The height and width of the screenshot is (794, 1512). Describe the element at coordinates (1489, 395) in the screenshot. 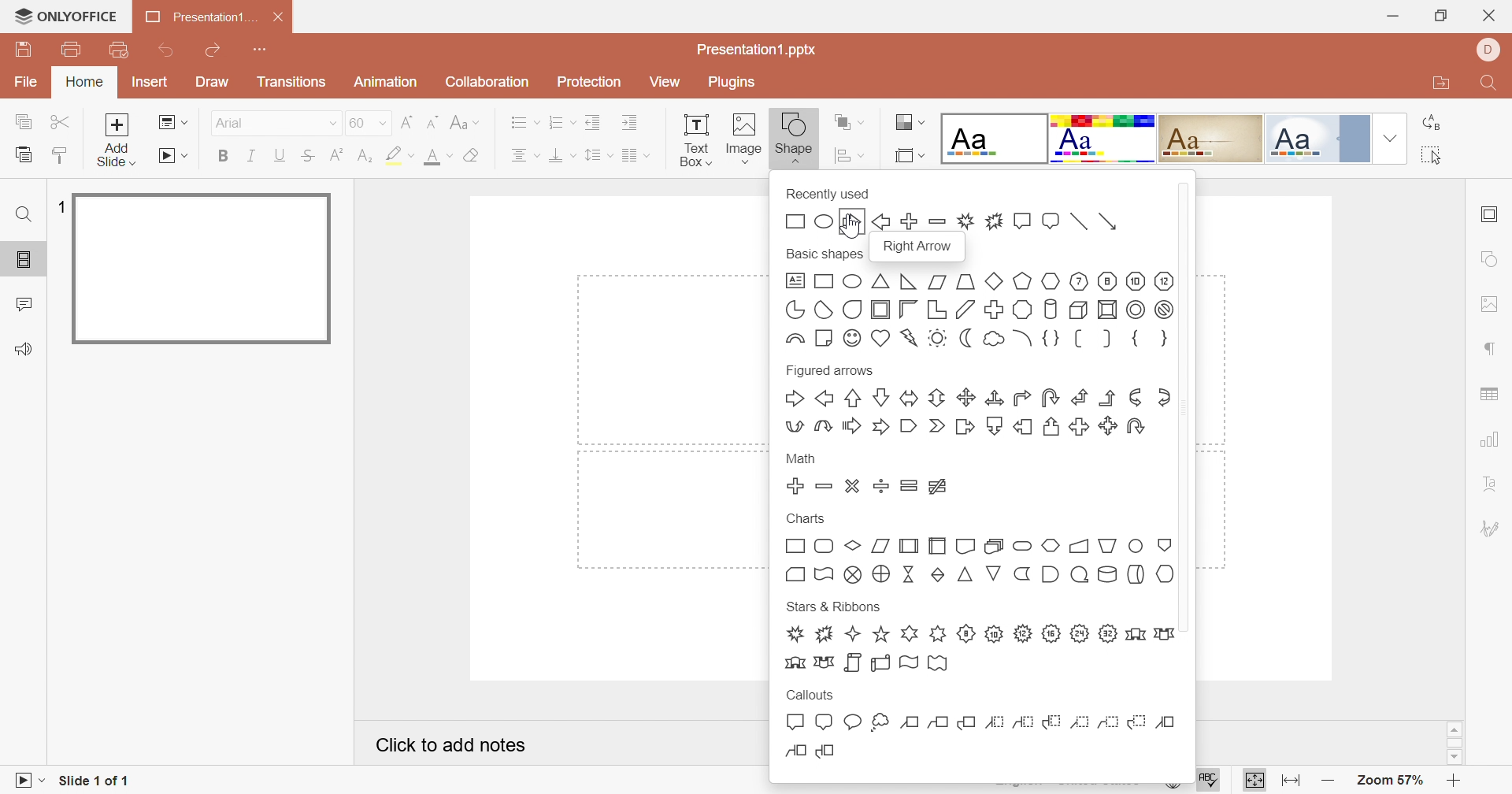

I see `Table settings` at that location.